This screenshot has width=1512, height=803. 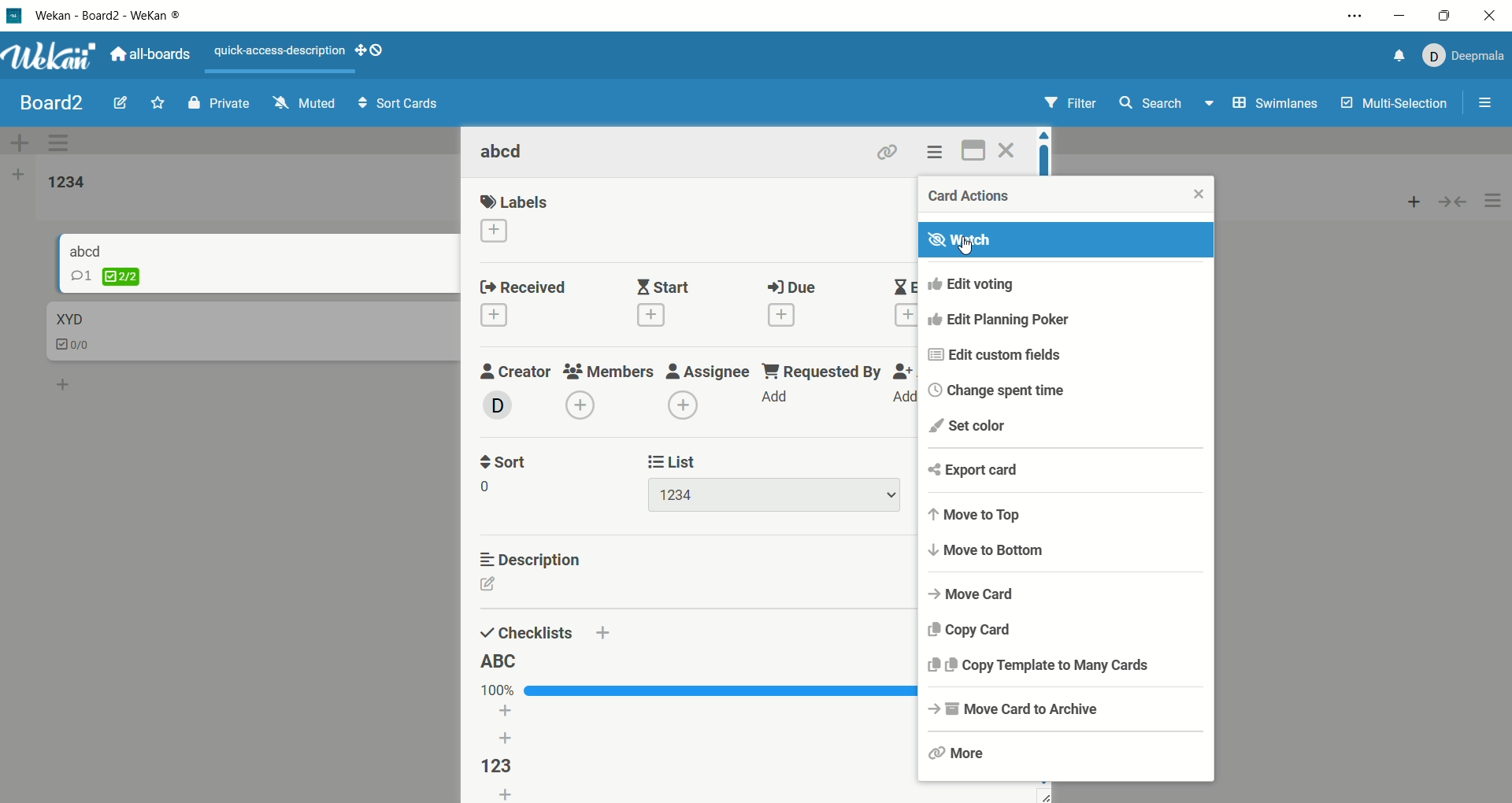 I want to click on move card, so click(x=1070, y=593).